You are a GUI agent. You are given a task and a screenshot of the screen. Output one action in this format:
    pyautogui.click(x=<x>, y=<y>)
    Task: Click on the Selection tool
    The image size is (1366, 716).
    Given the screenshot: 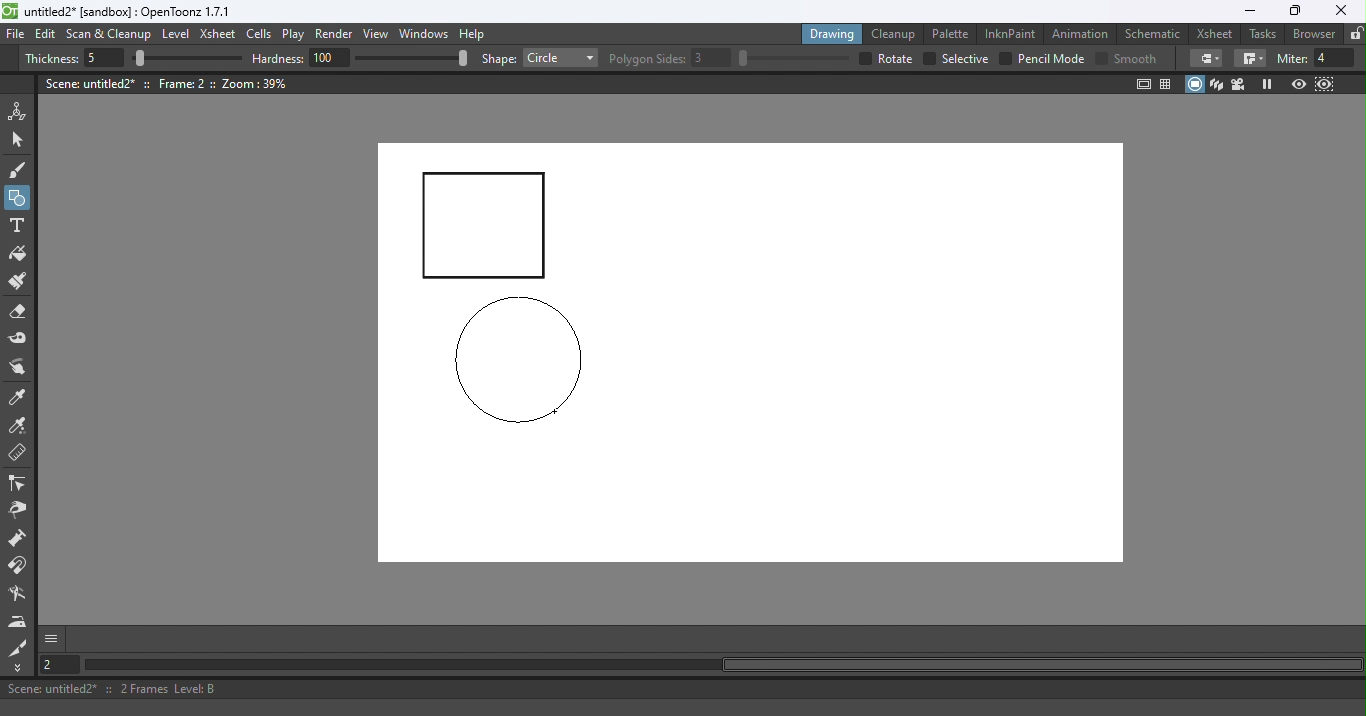 What is the action you would take?
    pyautogui.click(x=21, y=139)
    